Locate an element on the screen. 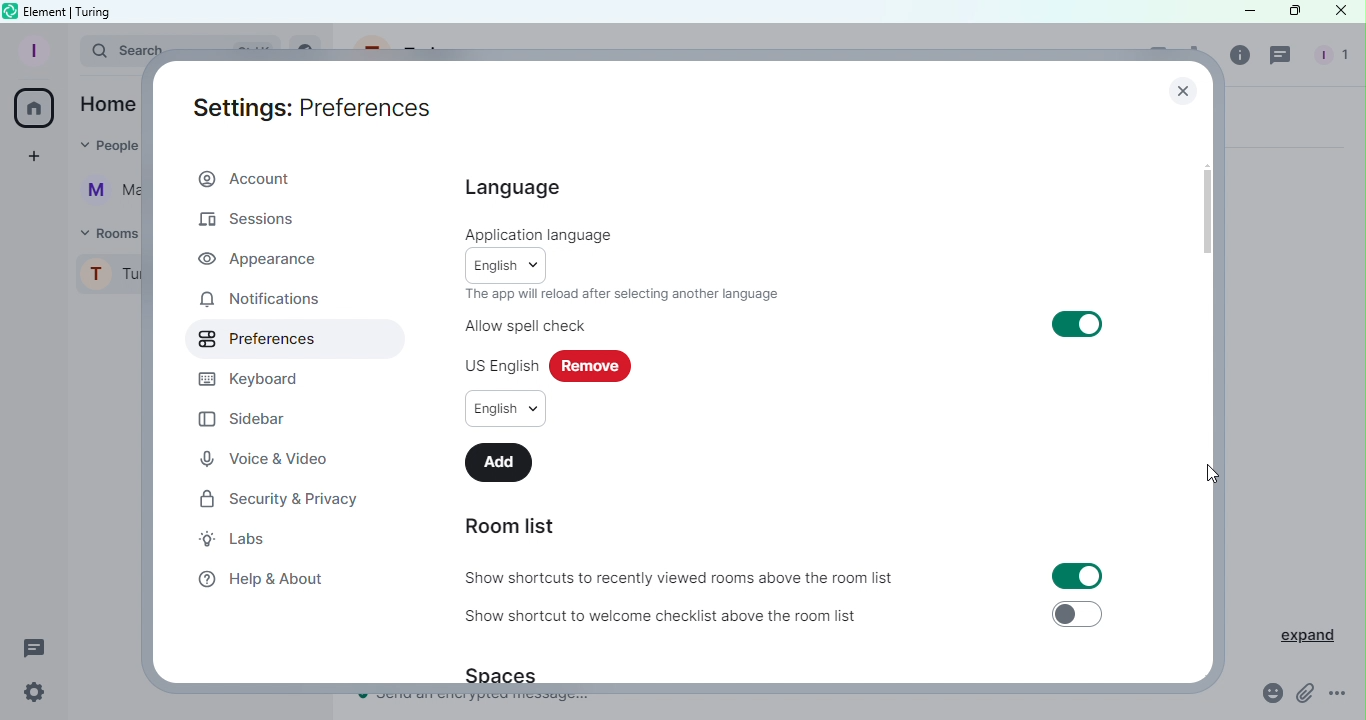 This screenshot has height=720, width=1366. Emoji is located at coordinates (1274, 694).